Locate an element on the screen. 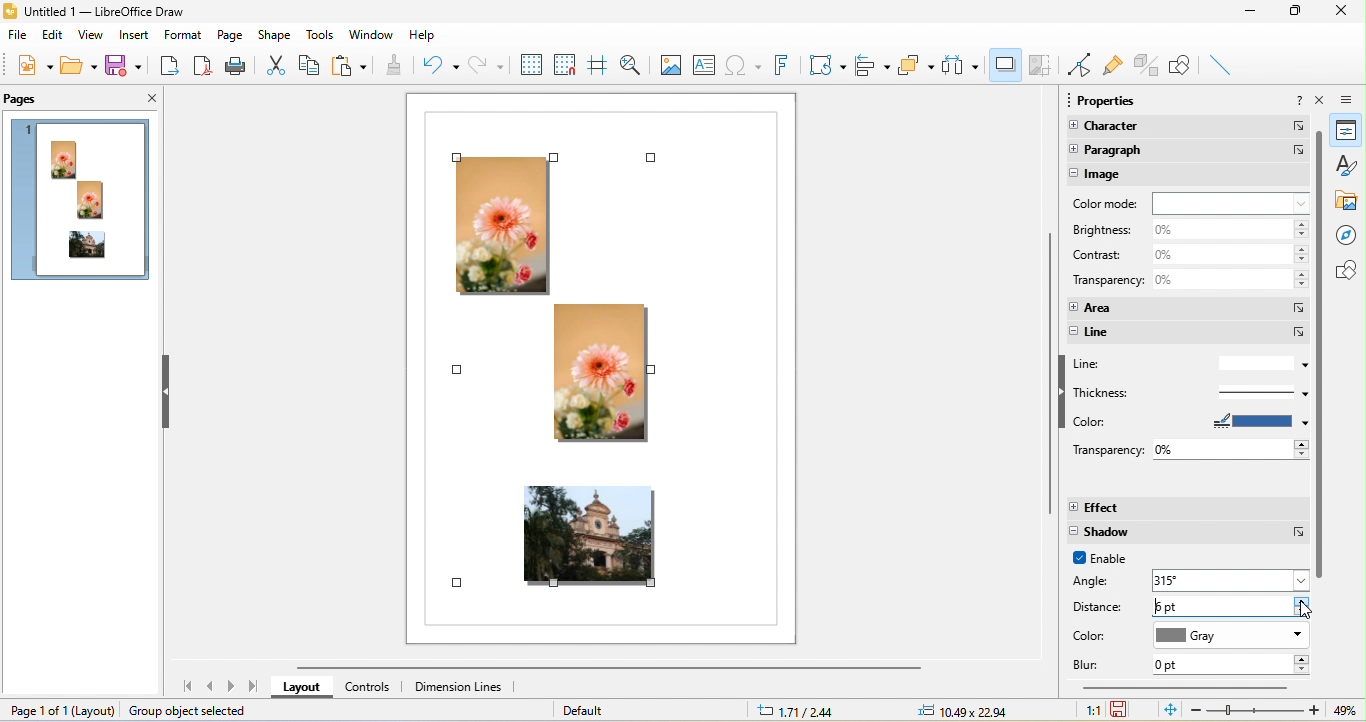 This screenshot has height=722, width=1366. save is located at coordinates (128, 67).